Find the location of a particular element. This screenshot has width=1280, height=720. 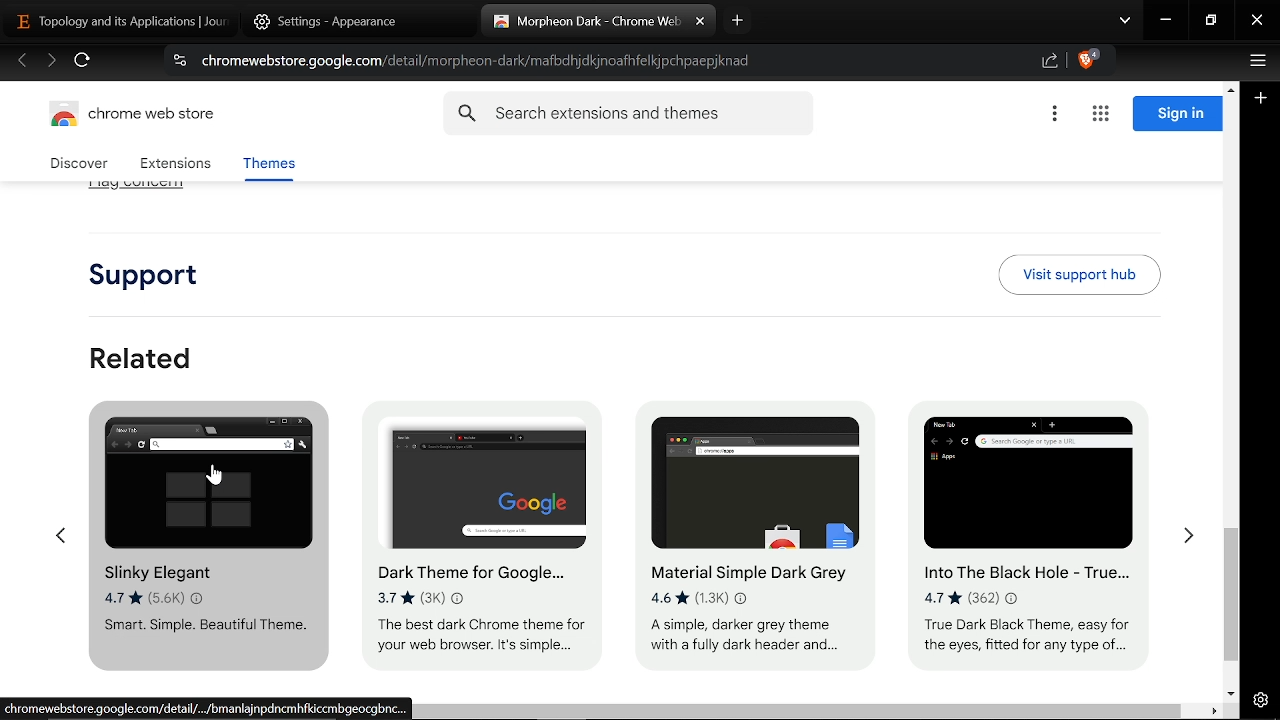

Support is located at coordinates (154, 268).